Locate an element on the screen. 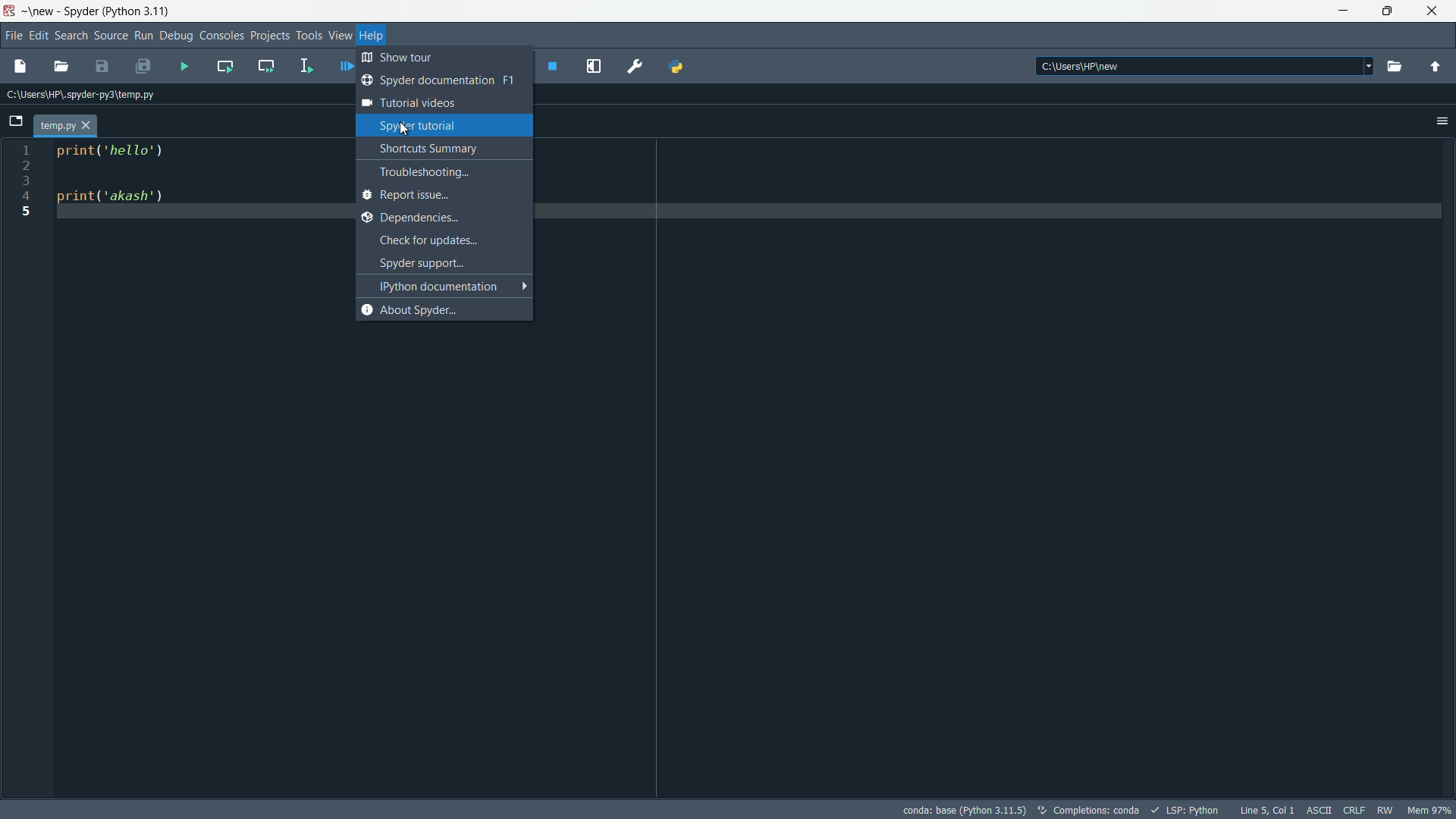 Image resolution: width=1456 pixels, height=819 pixels. open file is located at coordinates (62, 66).